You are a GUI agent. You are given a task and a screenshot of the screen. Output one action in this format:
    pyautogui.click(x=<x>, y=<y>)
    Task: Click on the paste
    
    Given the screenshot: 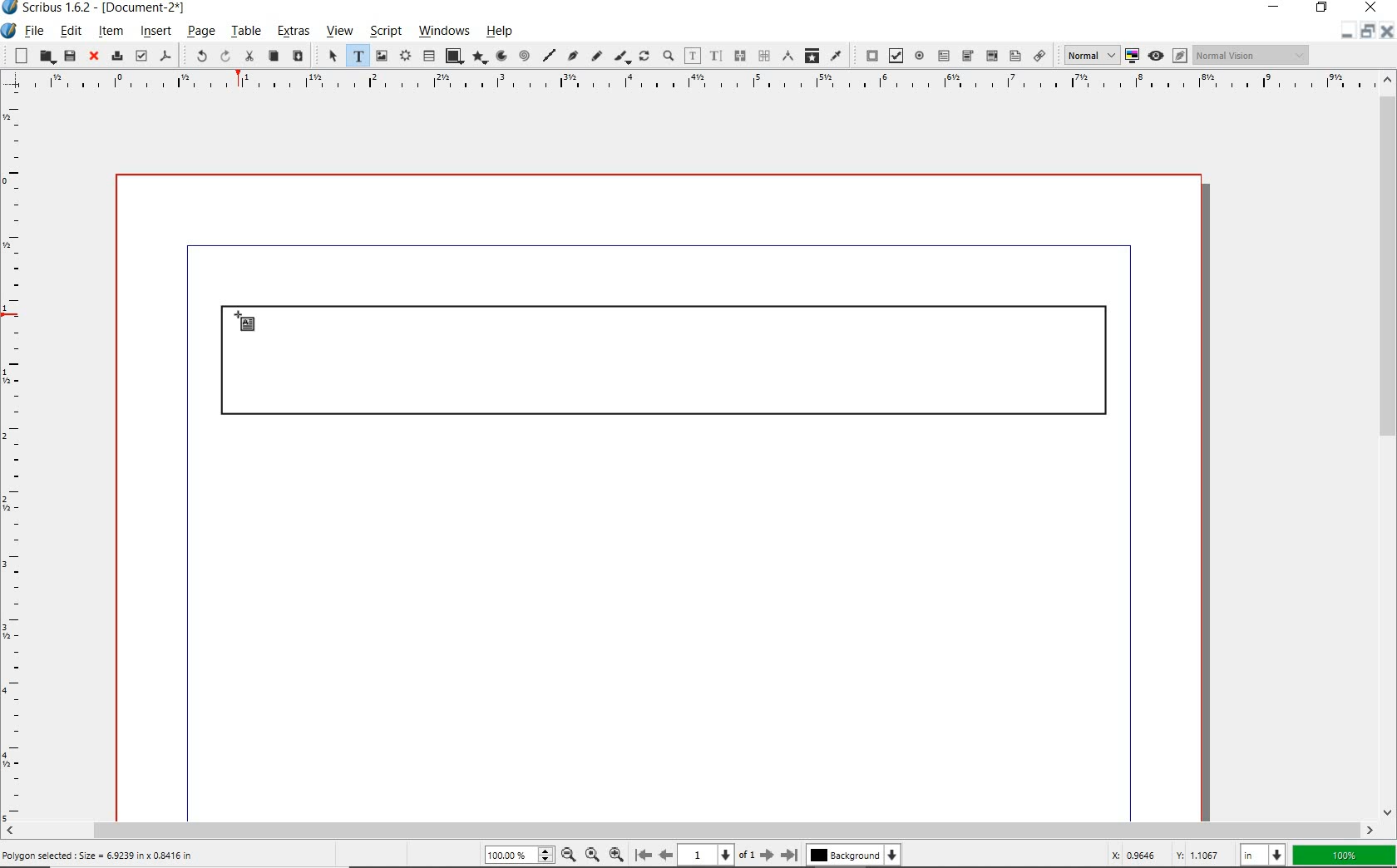 What is the action you would take?
    pyautogui.click(x=298, y=56)
    